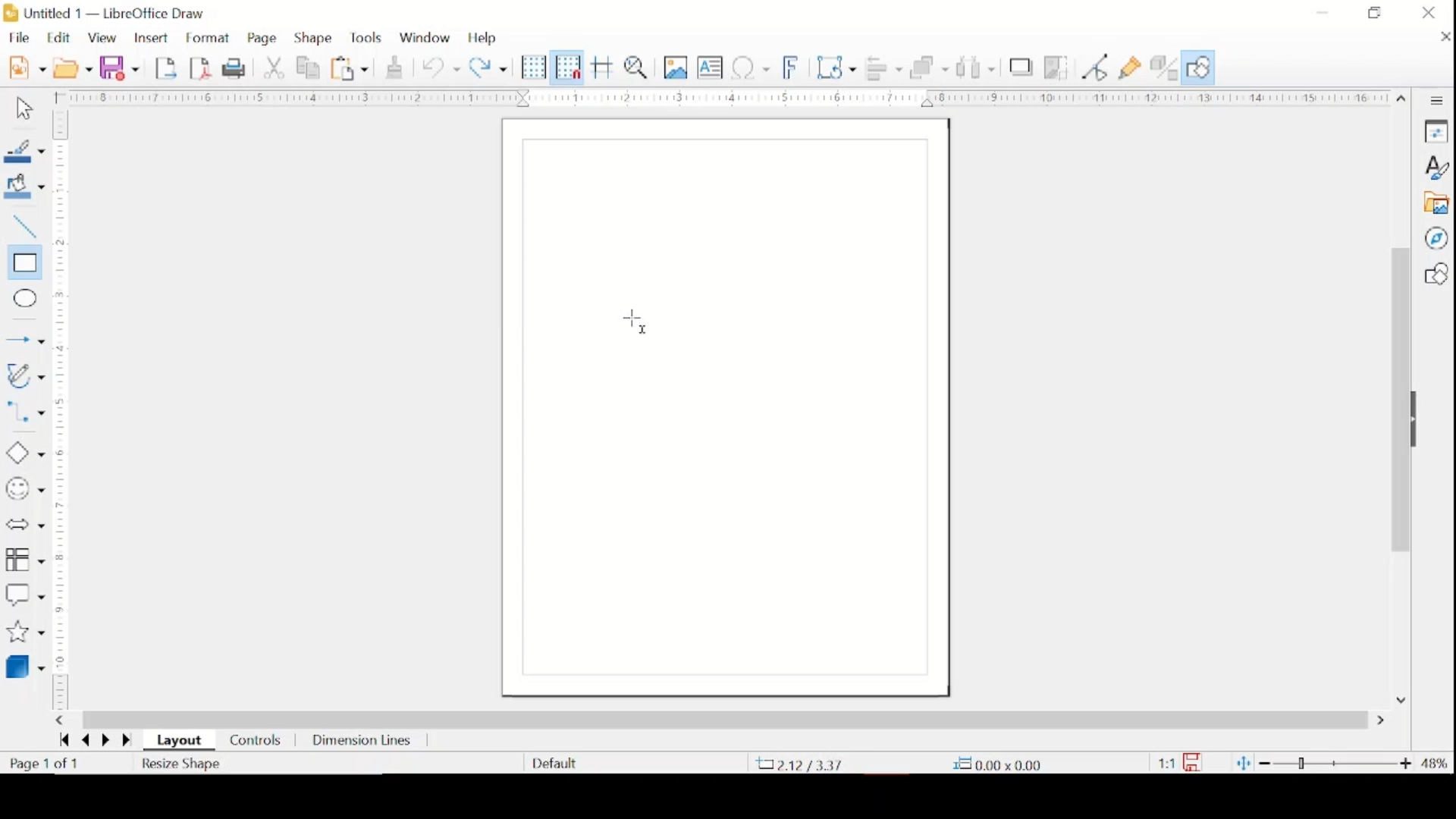 The image size is (1456, 819). Describe the element at coordinates (59, 720) in the screenshot. I see `scroll left arrow` at that location.